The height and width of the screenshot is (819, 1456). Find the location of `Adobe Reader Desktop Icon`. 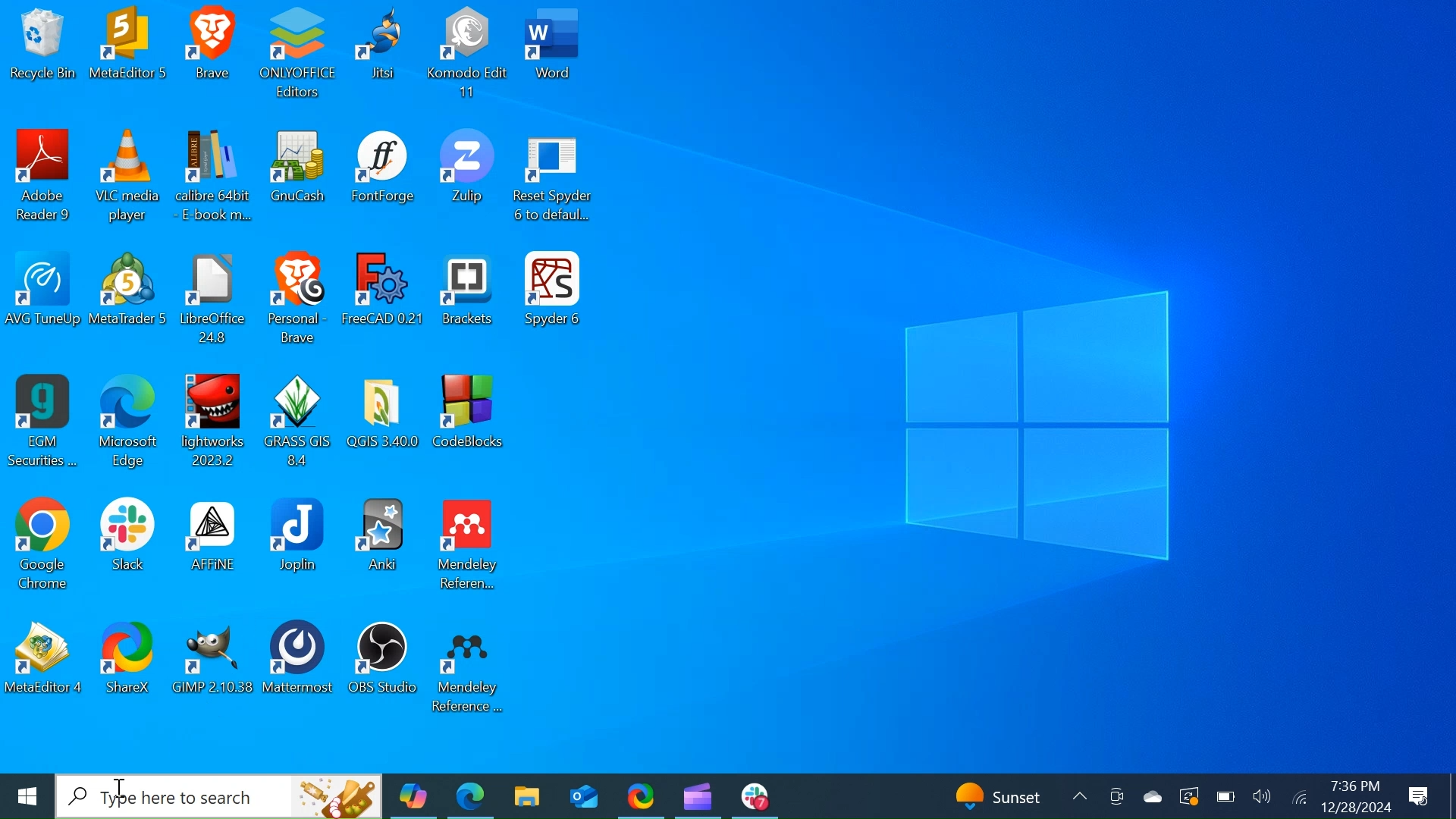

Adobe Reader Desktop Icon is located at coordinates (40, 179).